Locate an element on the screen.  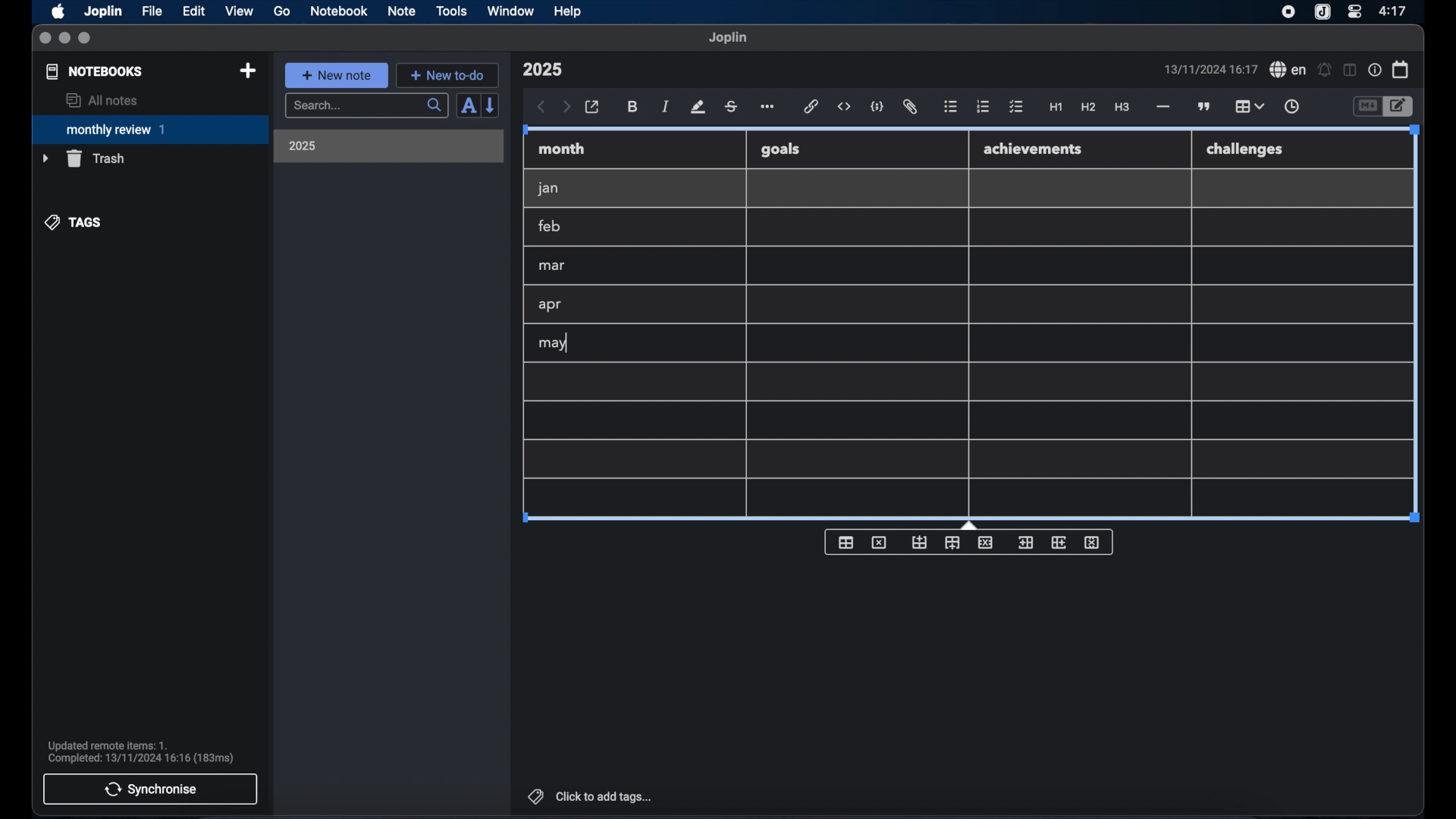
more options is located at coordinates (769, 108).